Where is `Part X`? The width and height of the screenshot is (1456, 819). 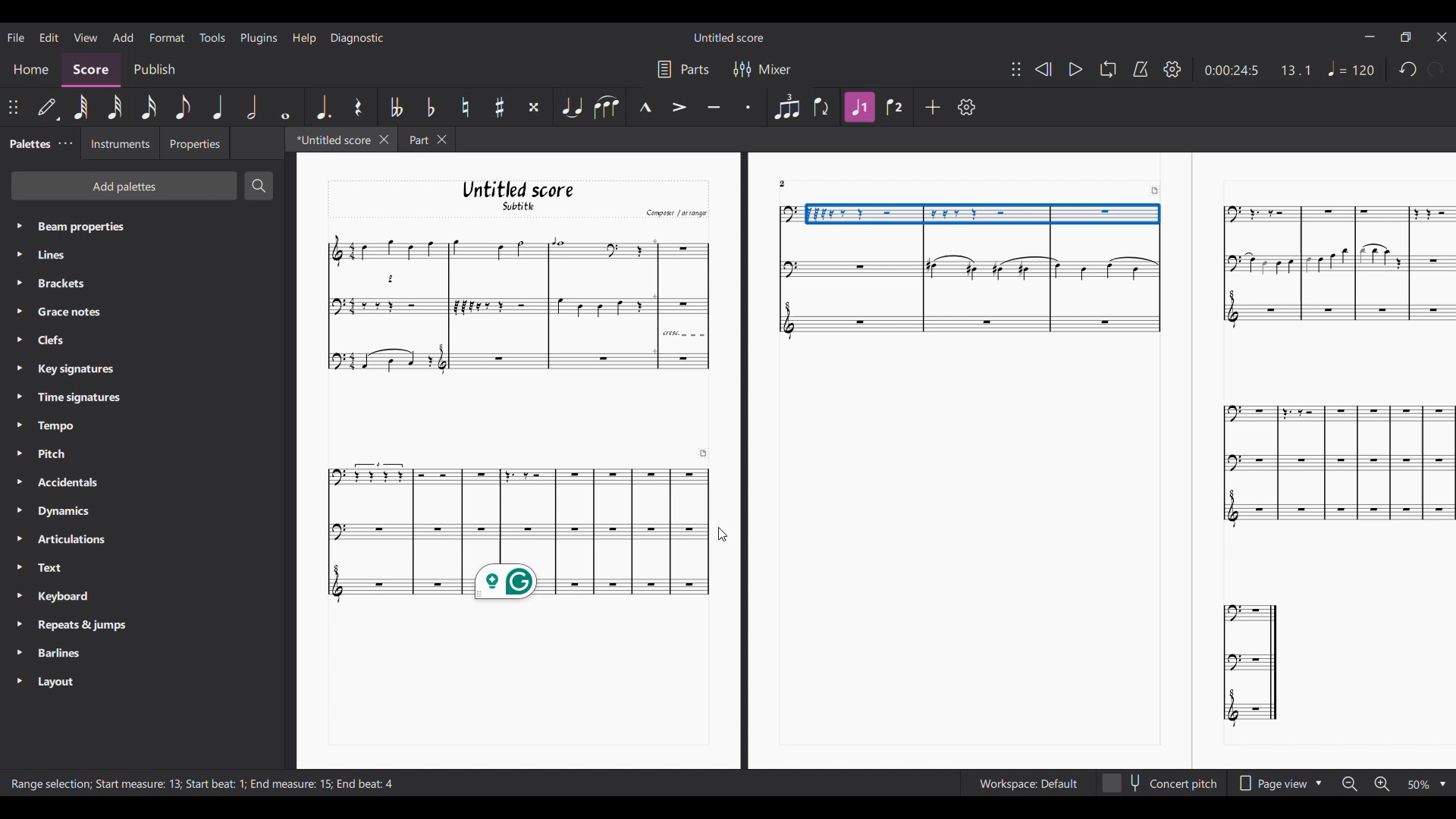 Part X is located at coordinates (426, 140).